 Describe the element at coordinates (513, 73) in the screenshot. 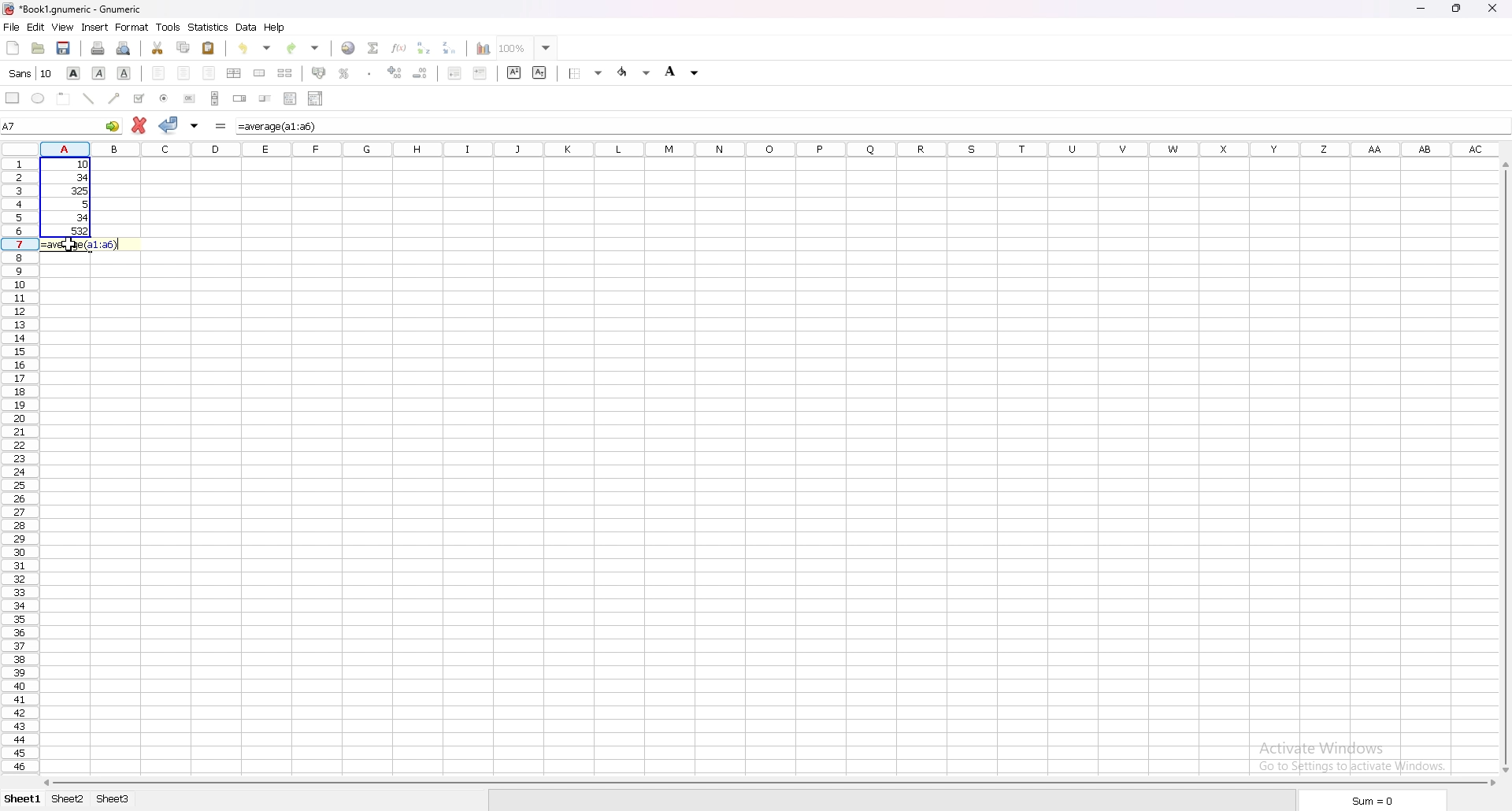

I see `superscript` at that location.